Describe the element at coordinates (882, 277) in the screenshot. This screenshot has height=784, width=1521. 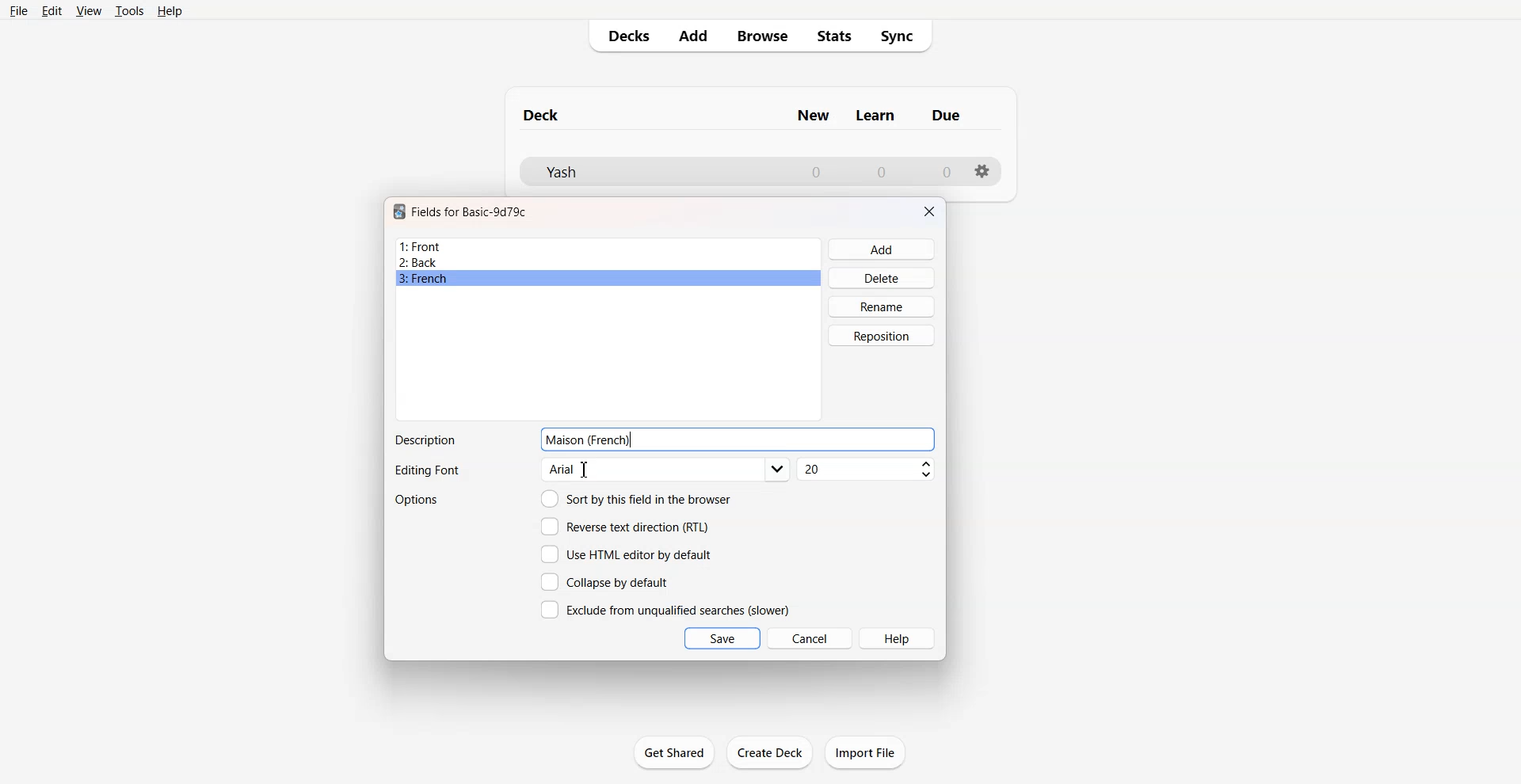
I see `Delete` at that location.